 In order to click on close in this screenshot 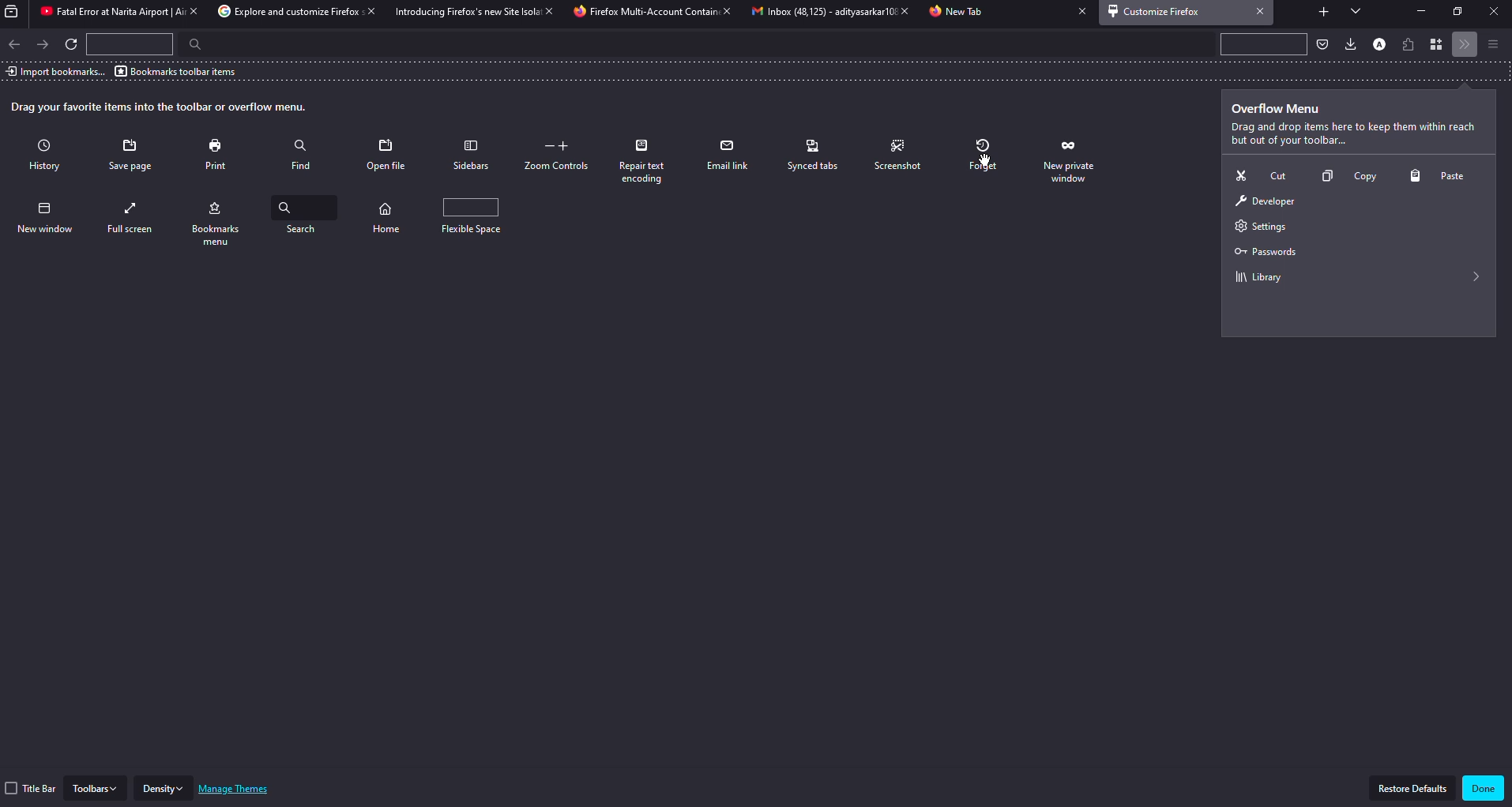, I will do `click(1078, 12)`.